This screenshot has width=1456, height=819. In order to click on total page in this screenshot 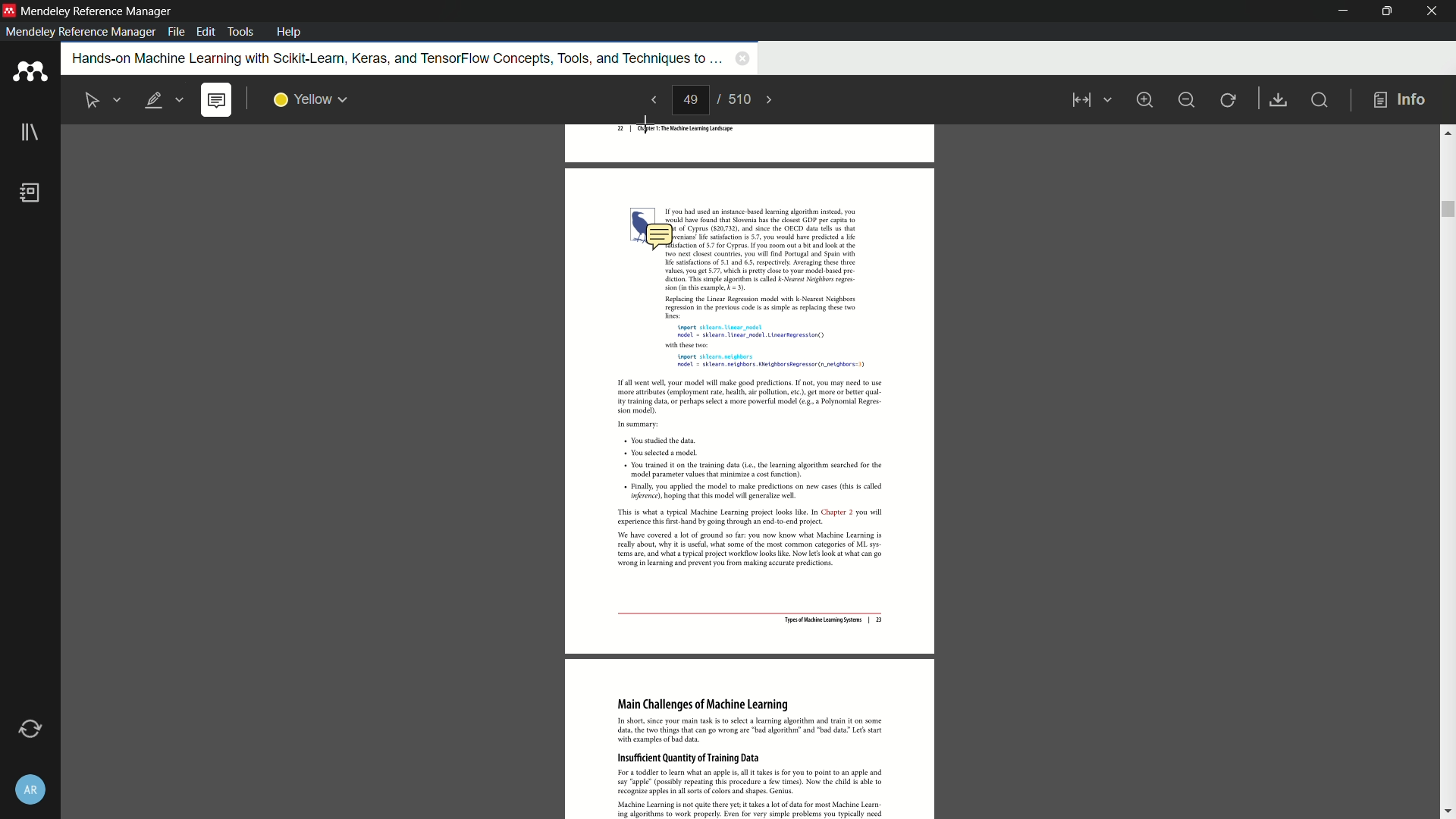, I will do `click(741, 100)`.